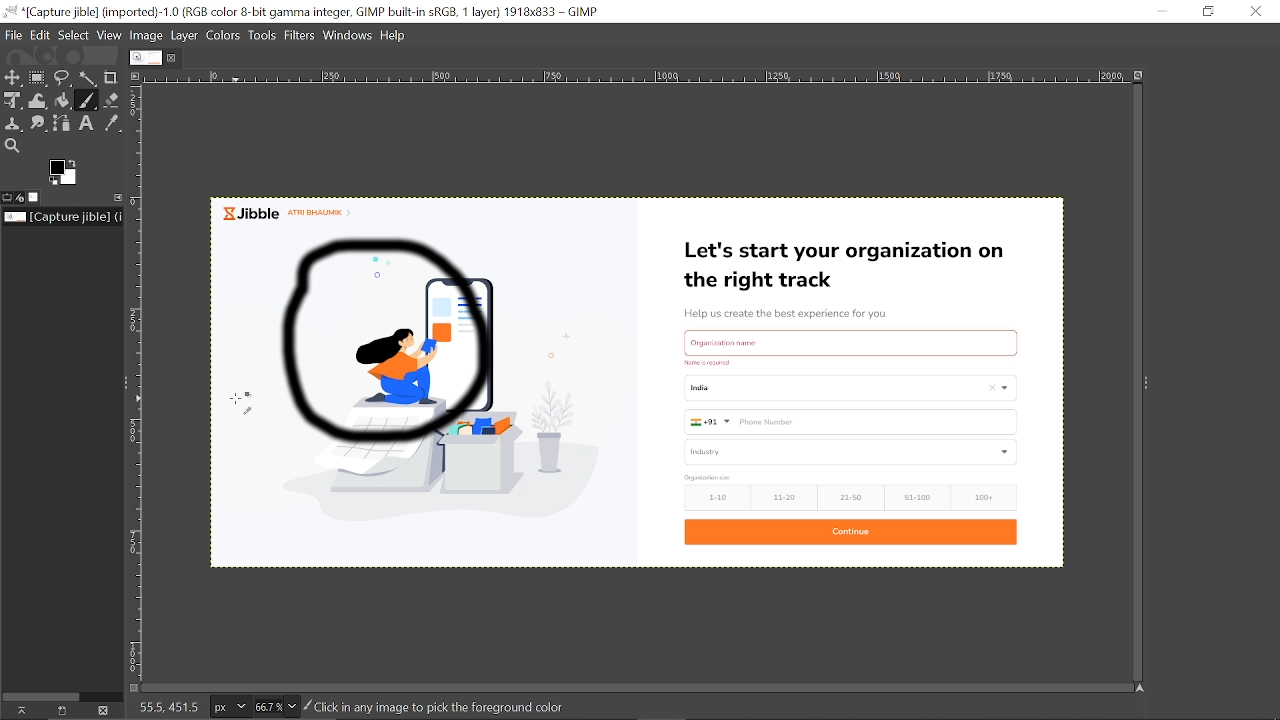 This screenshot has height=720, width=1280. What do you see at coordinates (1208, 13) in the screenshot?
I see `` at bounding box center [1208, 13].